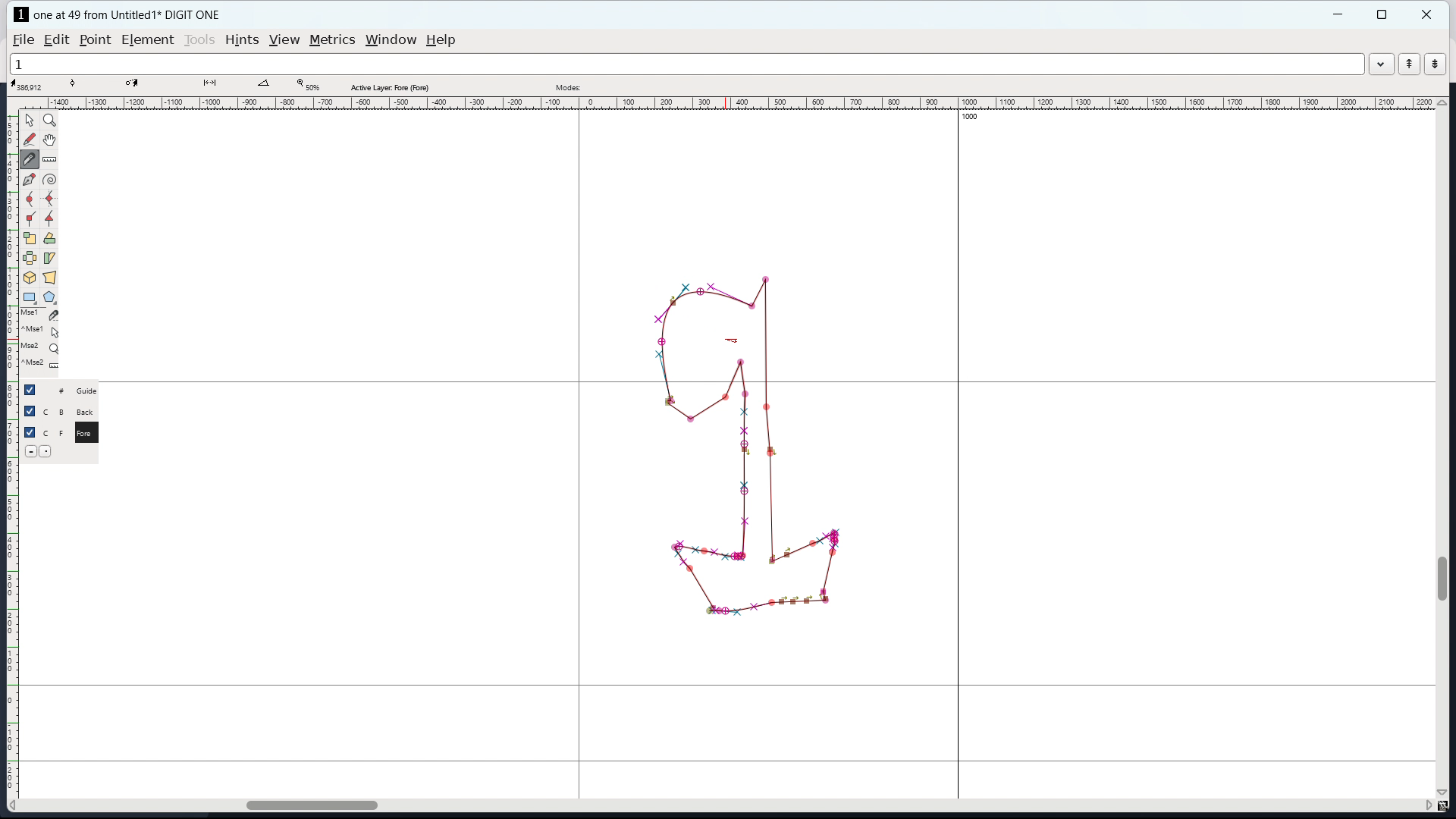 This screenshot has width=1456, height=819. I want to click on mse2, so click(44, 345).